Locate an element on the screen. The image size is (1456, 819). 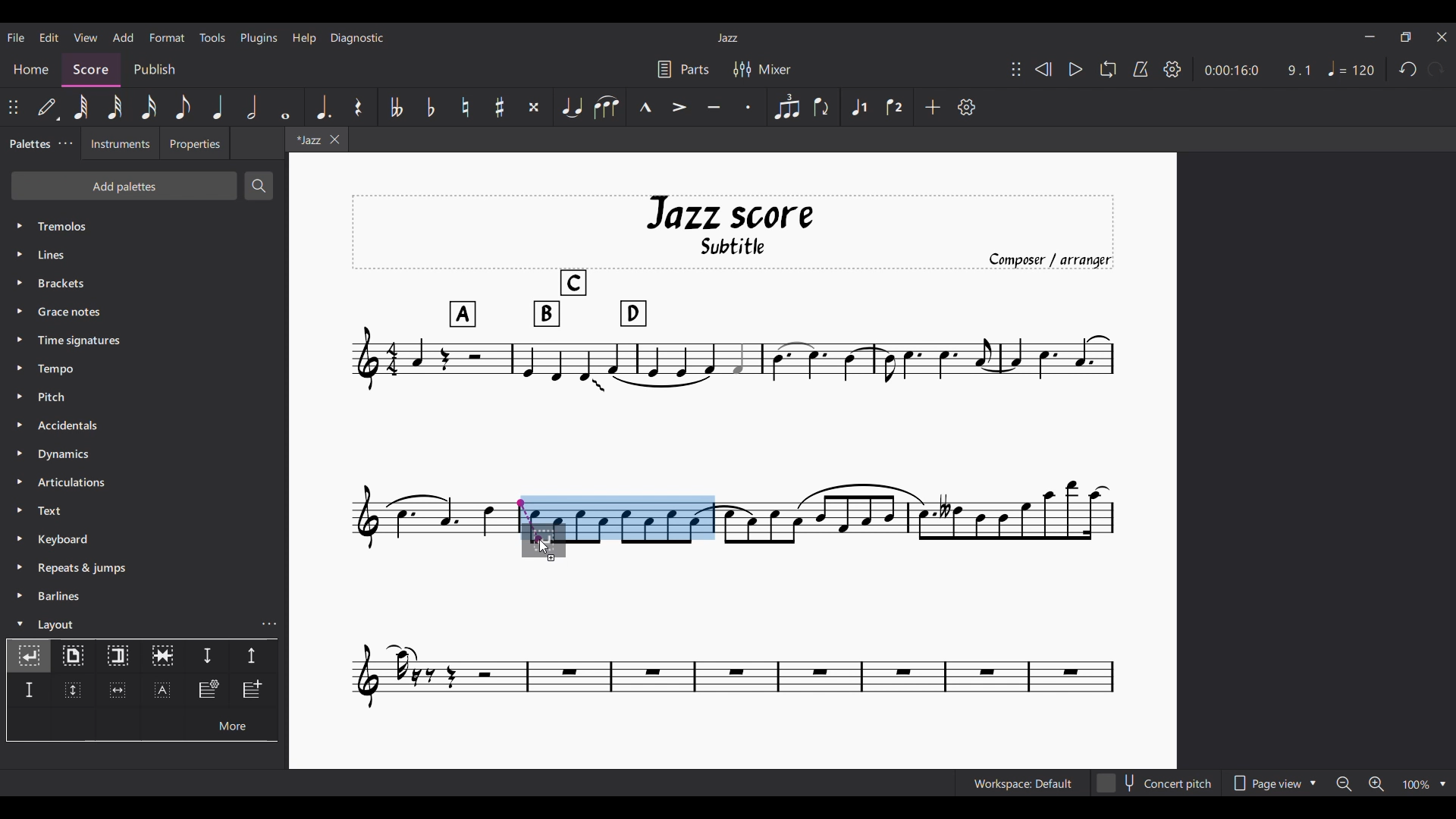
Indicates point of contact is located at coordinates (529, 520).